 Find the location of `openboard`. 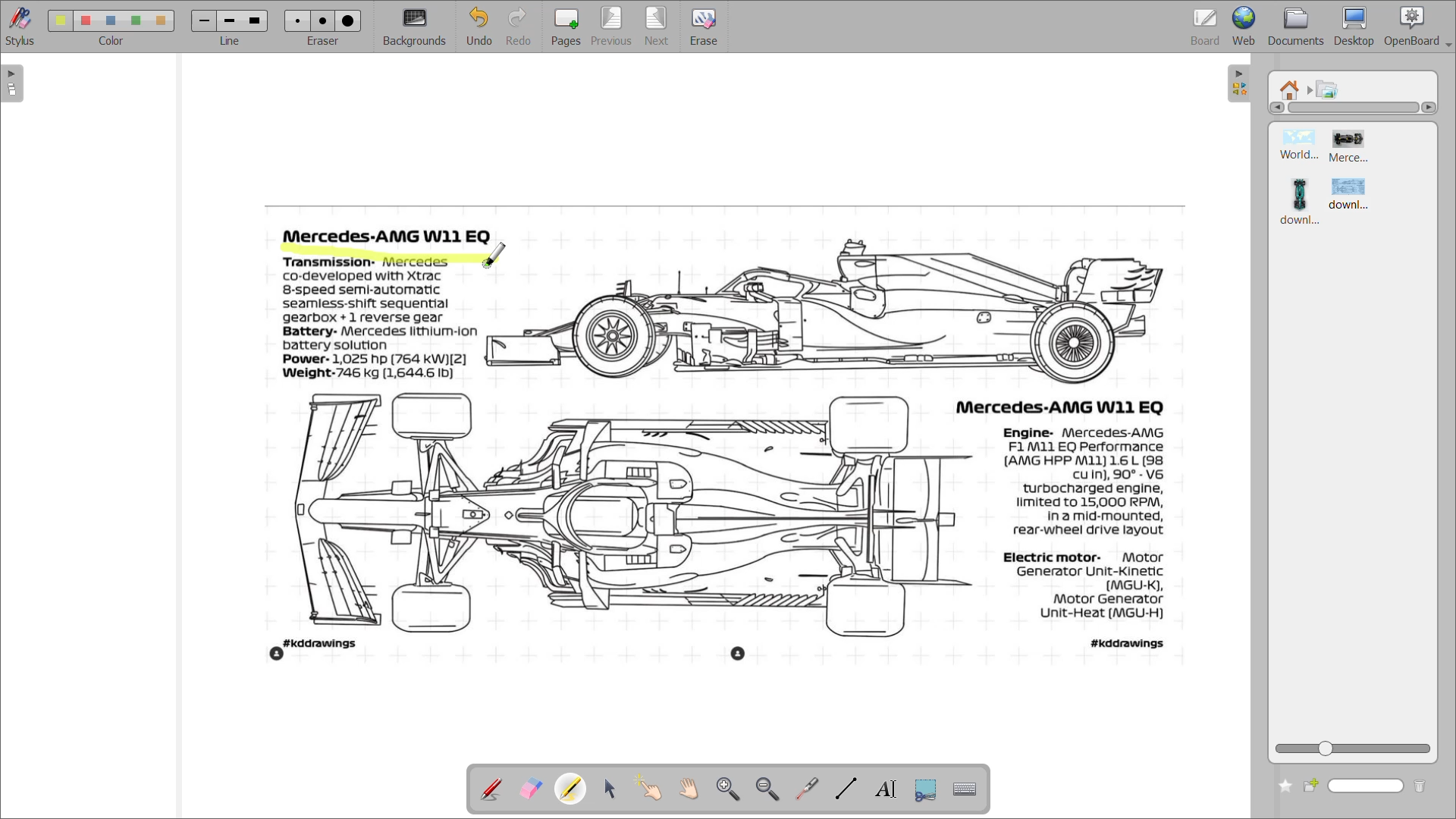

openboard is located at coordinates (1419, 27).